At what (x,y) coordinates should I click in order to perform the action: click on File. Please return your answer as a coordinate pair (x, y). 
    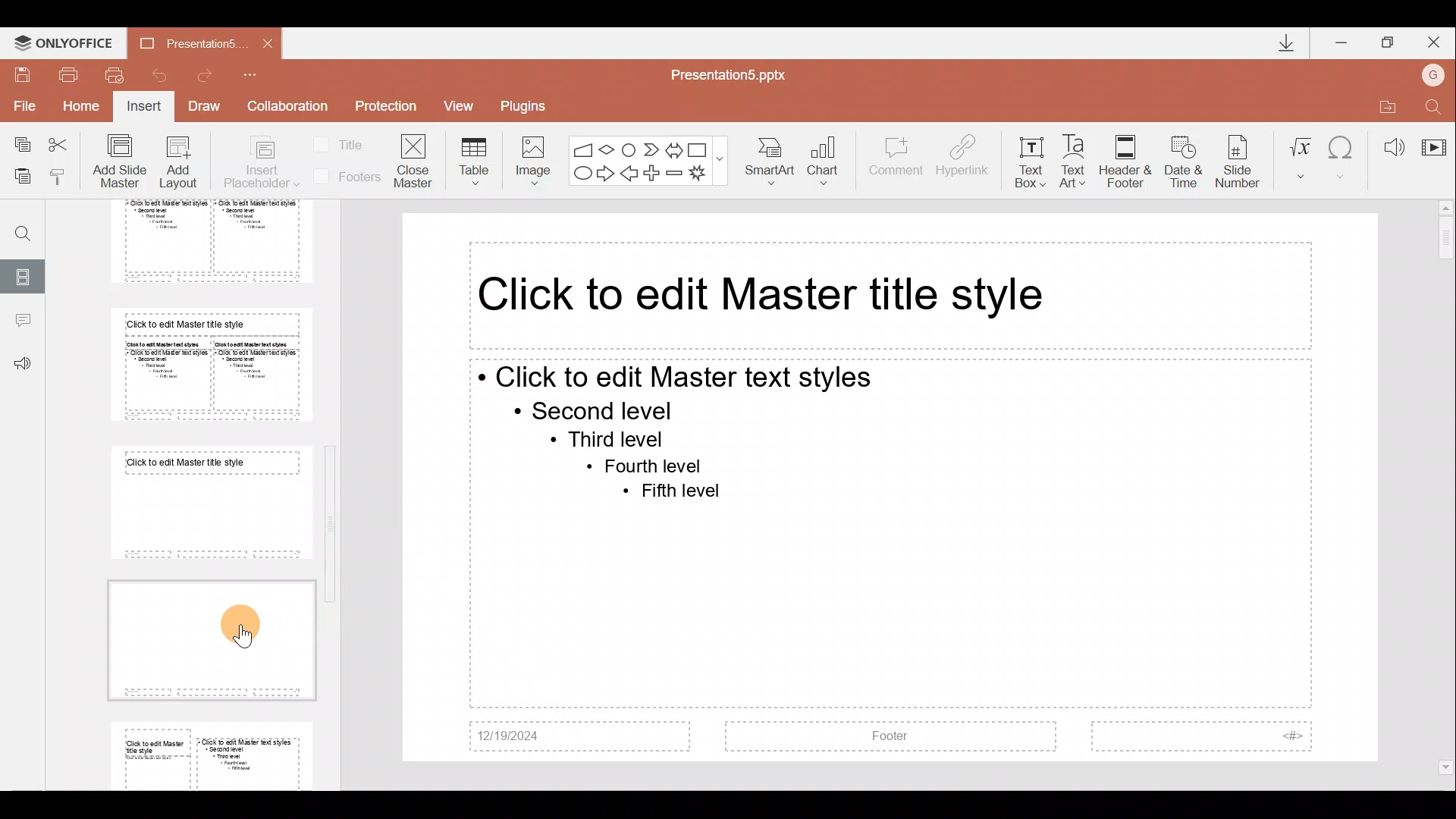
    Looking at the image, I should click on (22, 105).